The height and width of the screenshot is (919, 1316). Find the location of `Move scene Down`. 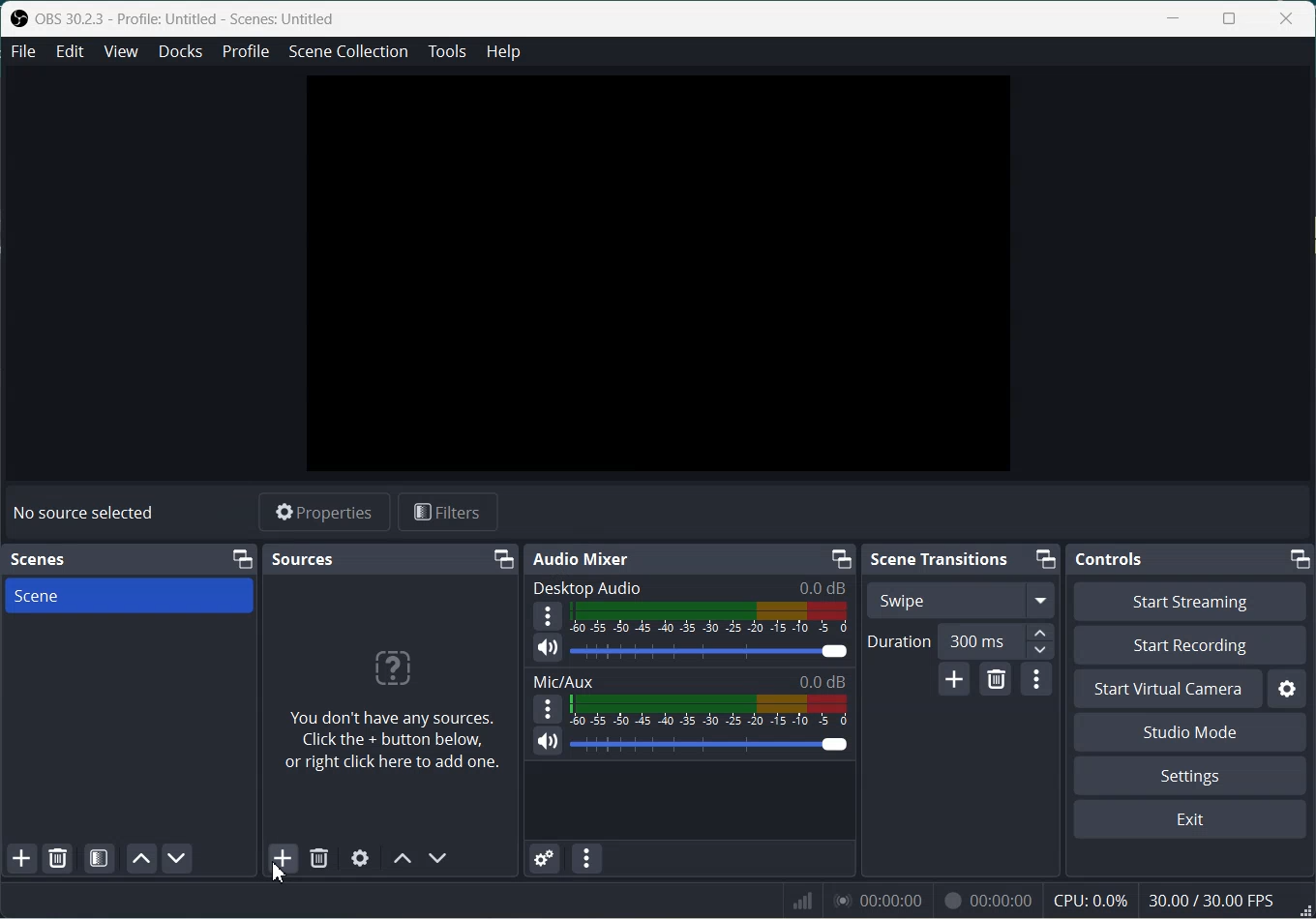

Move scene Down is located at coordinates (177, 858).